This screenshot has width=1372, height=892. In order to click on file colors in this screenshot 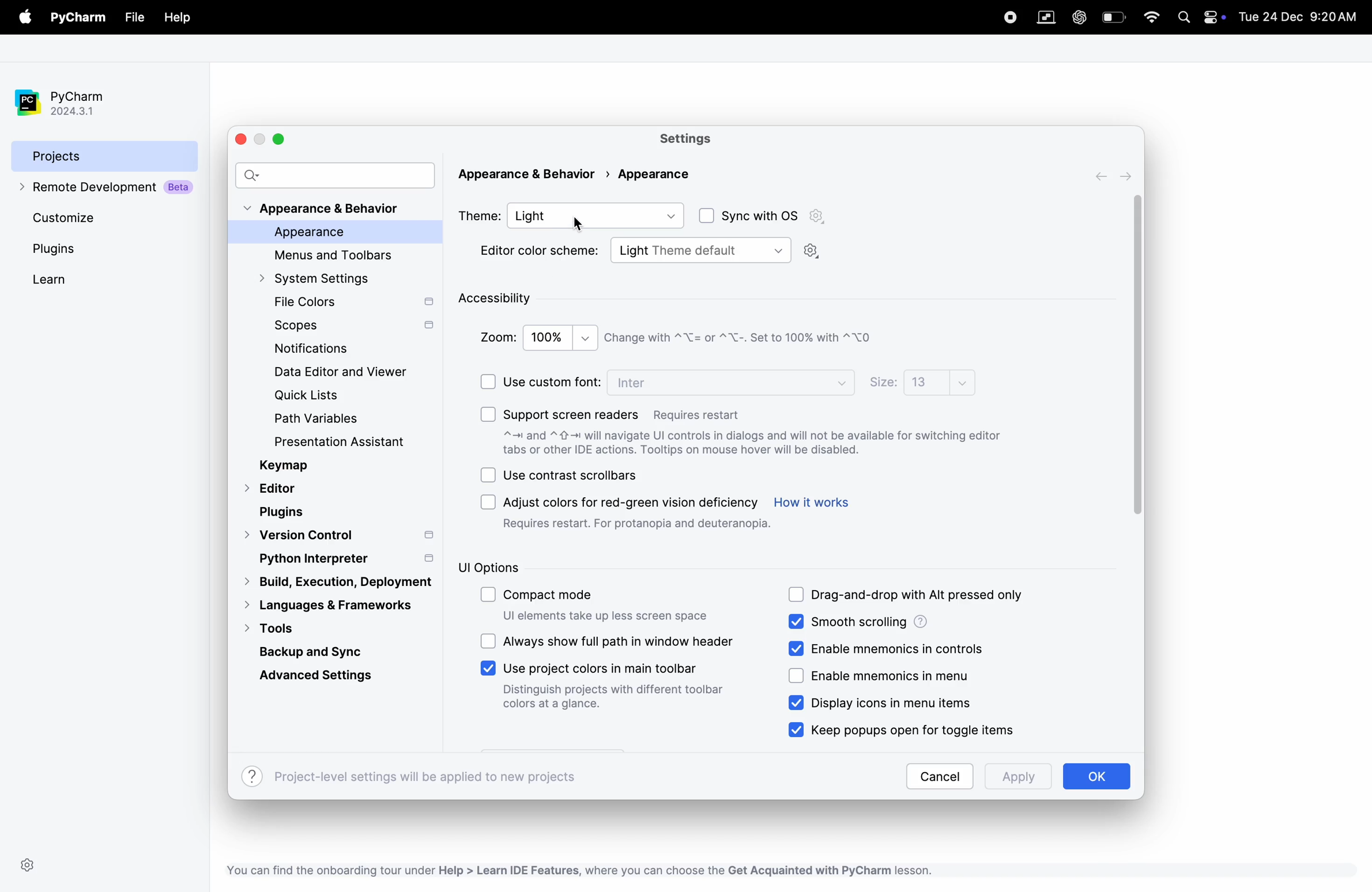, I will do `click(351, 303)`.